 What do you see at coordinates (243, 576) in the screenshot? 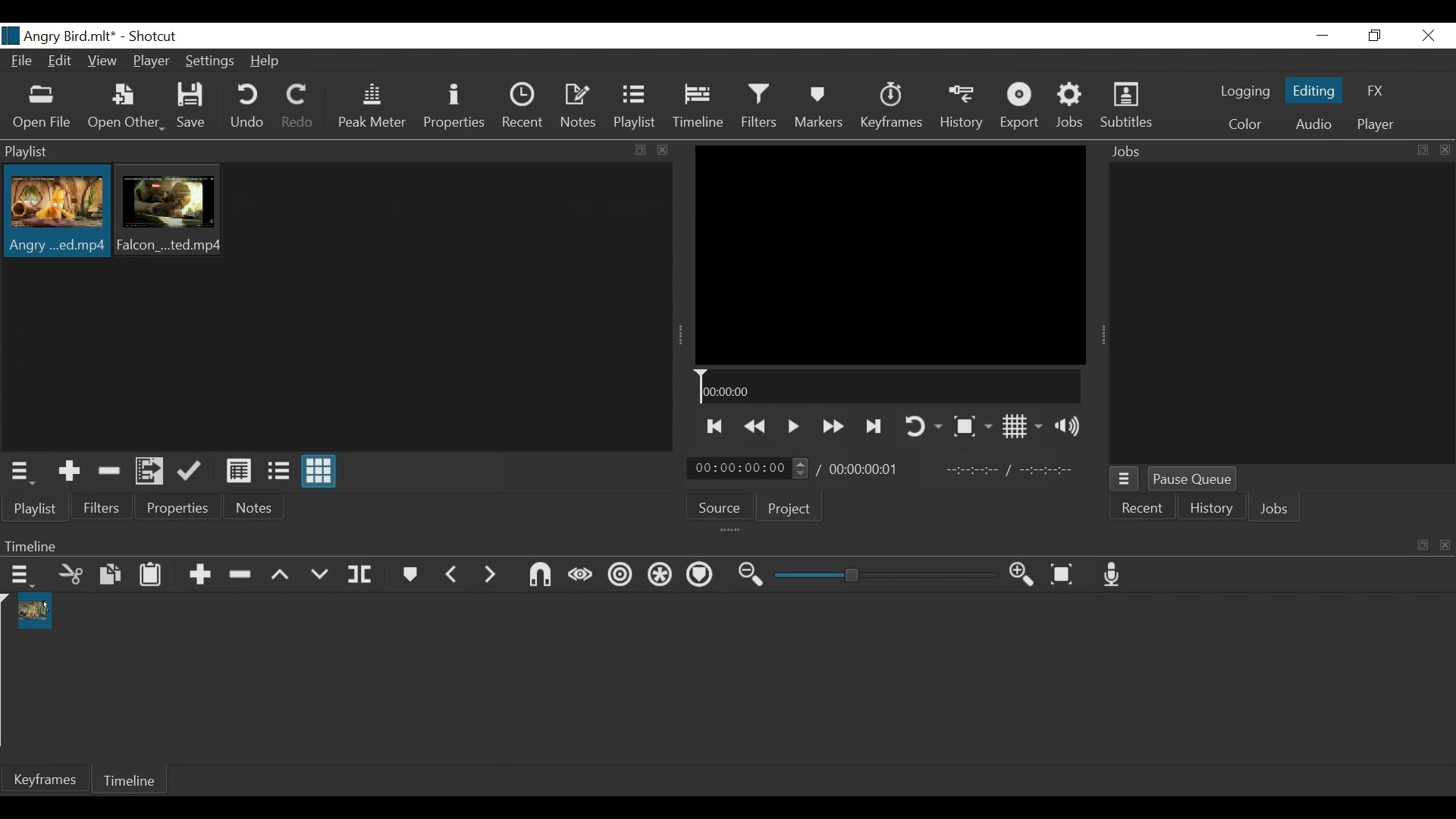
I see `Ripple Delete` at bounding box center [243, 576].